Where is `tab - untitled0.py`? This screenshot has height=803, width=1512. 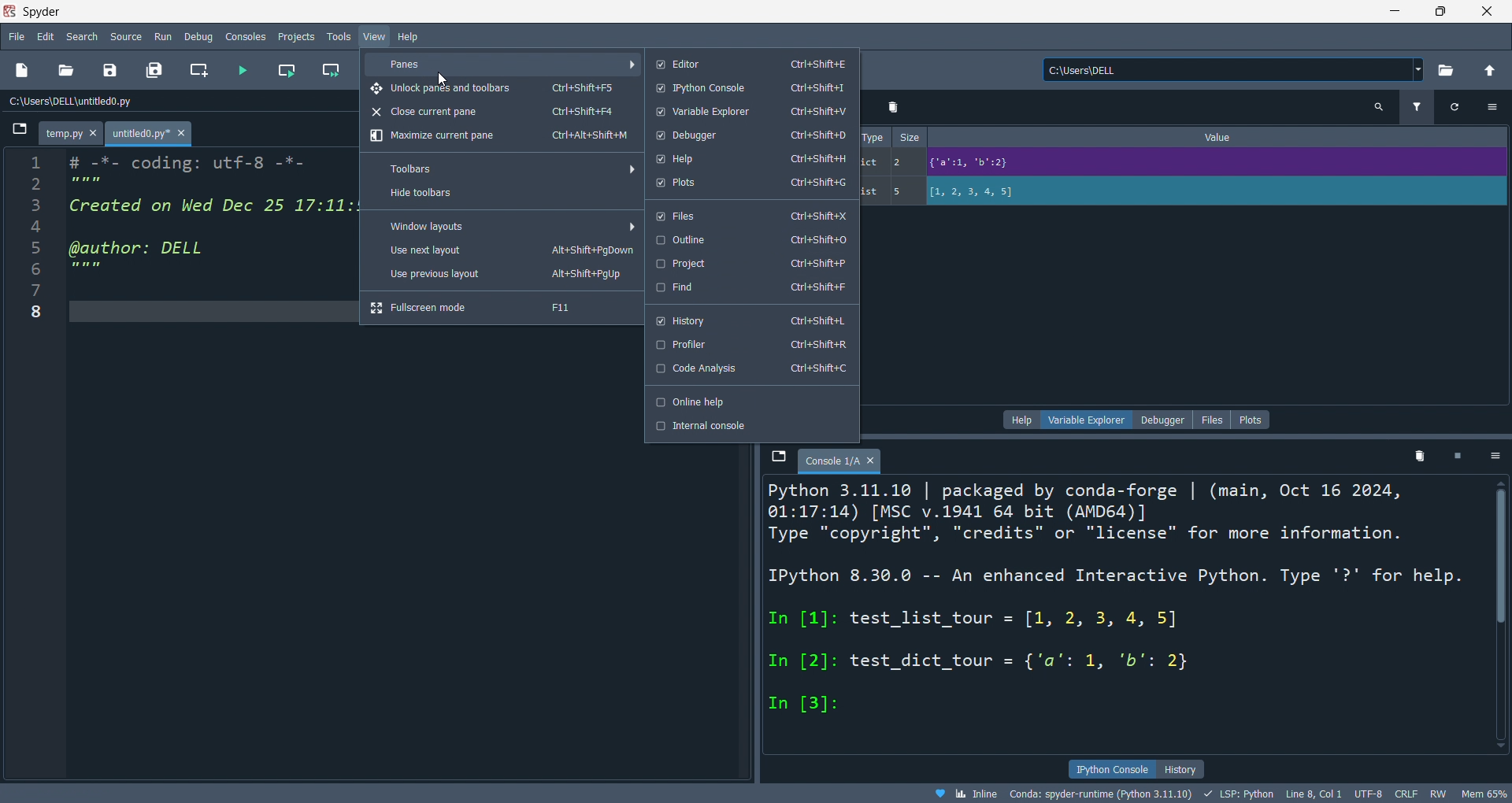 tab - untitled0.py is located at coordinates (150, 135).